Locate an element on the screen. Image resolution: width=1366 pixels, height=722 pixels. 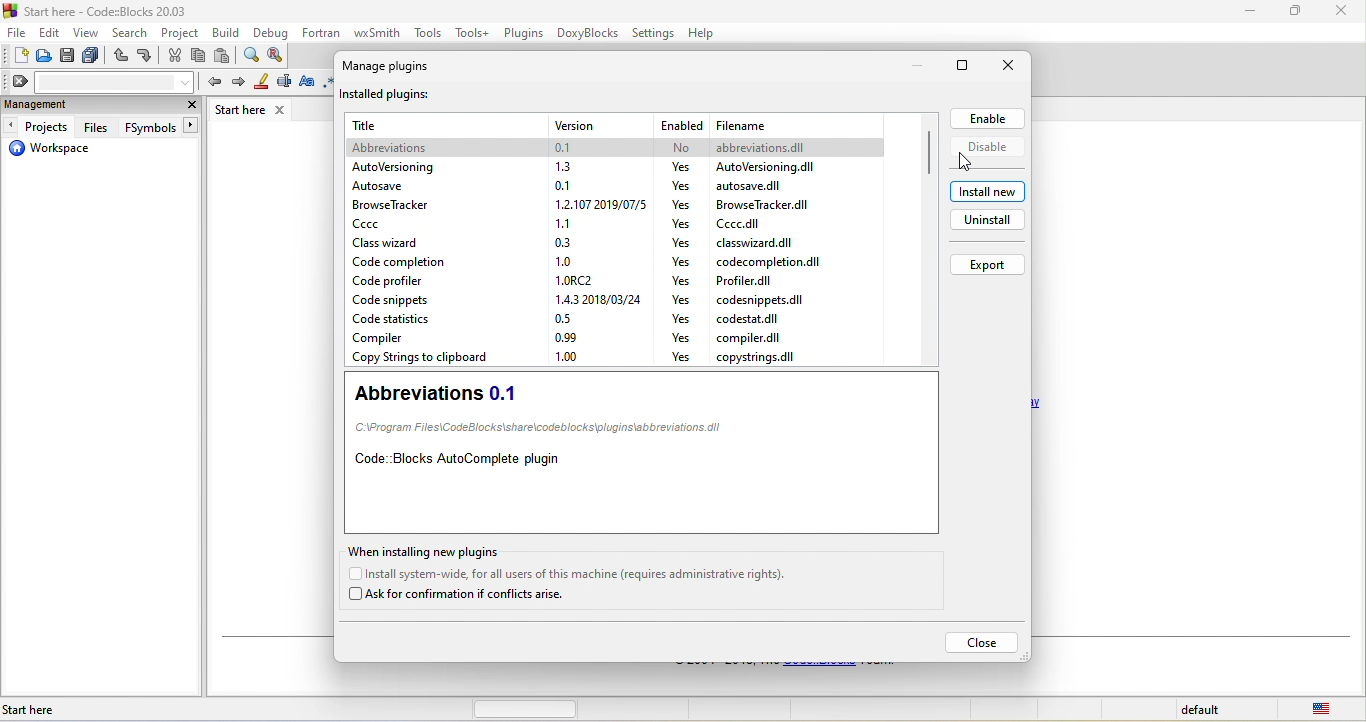
title is located at coordinates (432, 126).